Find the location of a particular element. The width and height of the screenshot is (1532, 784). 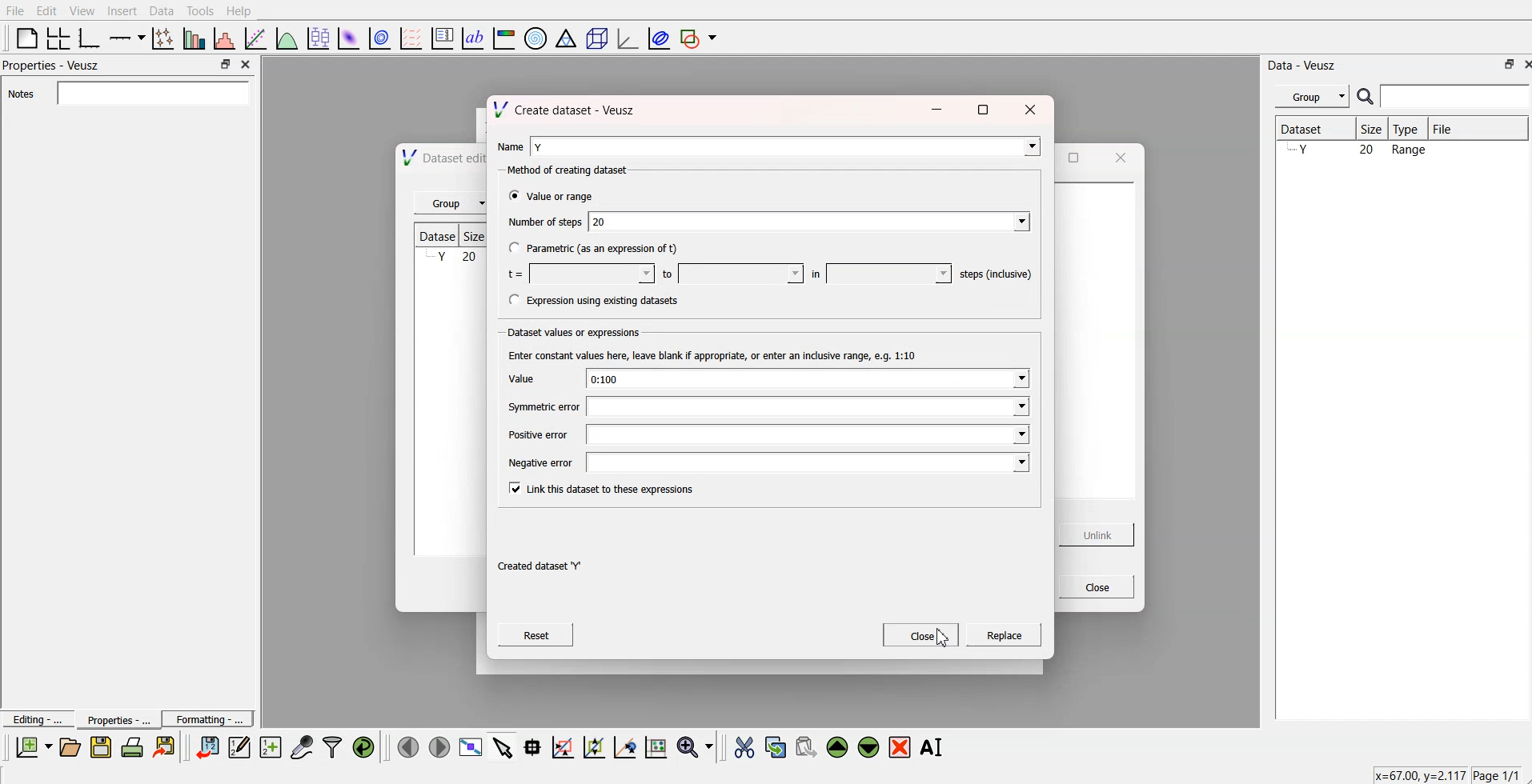

[v Link this dataset to these expressions is located at coordinates (603, 489).